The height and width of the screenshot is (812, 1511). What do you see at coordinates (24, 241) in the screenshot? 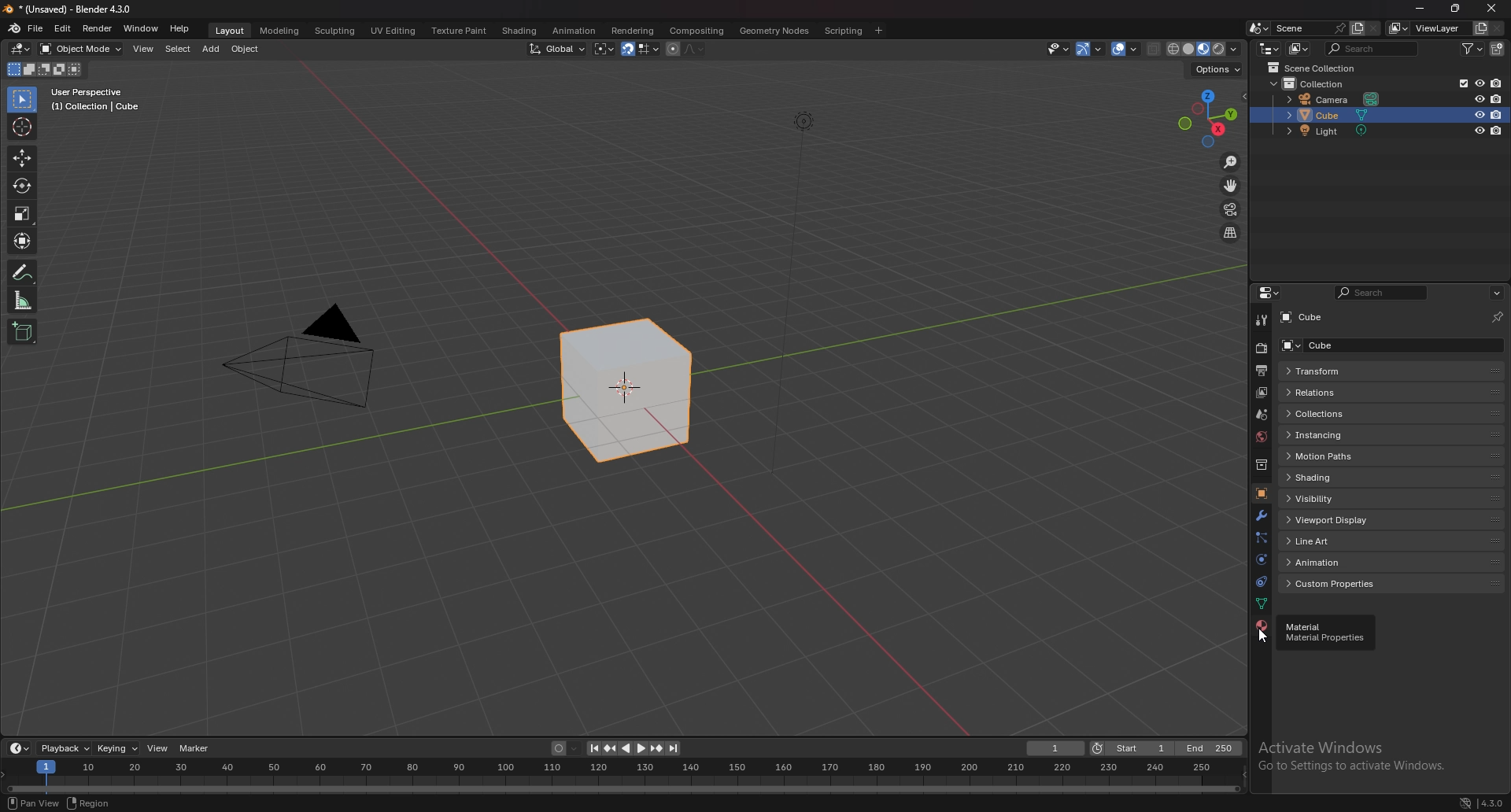
I see `transform` at bounding box center [24, 241].